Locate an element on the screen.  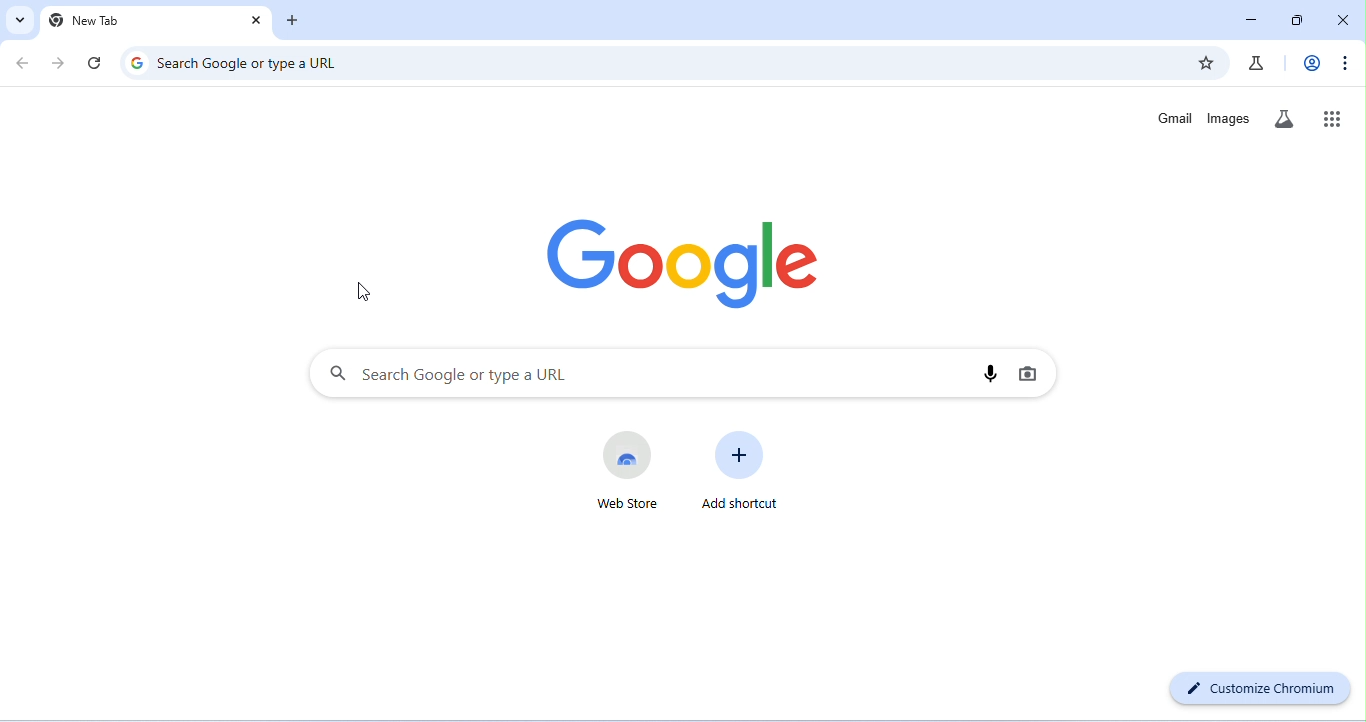
search labs is located at coordinates (1283, 120).